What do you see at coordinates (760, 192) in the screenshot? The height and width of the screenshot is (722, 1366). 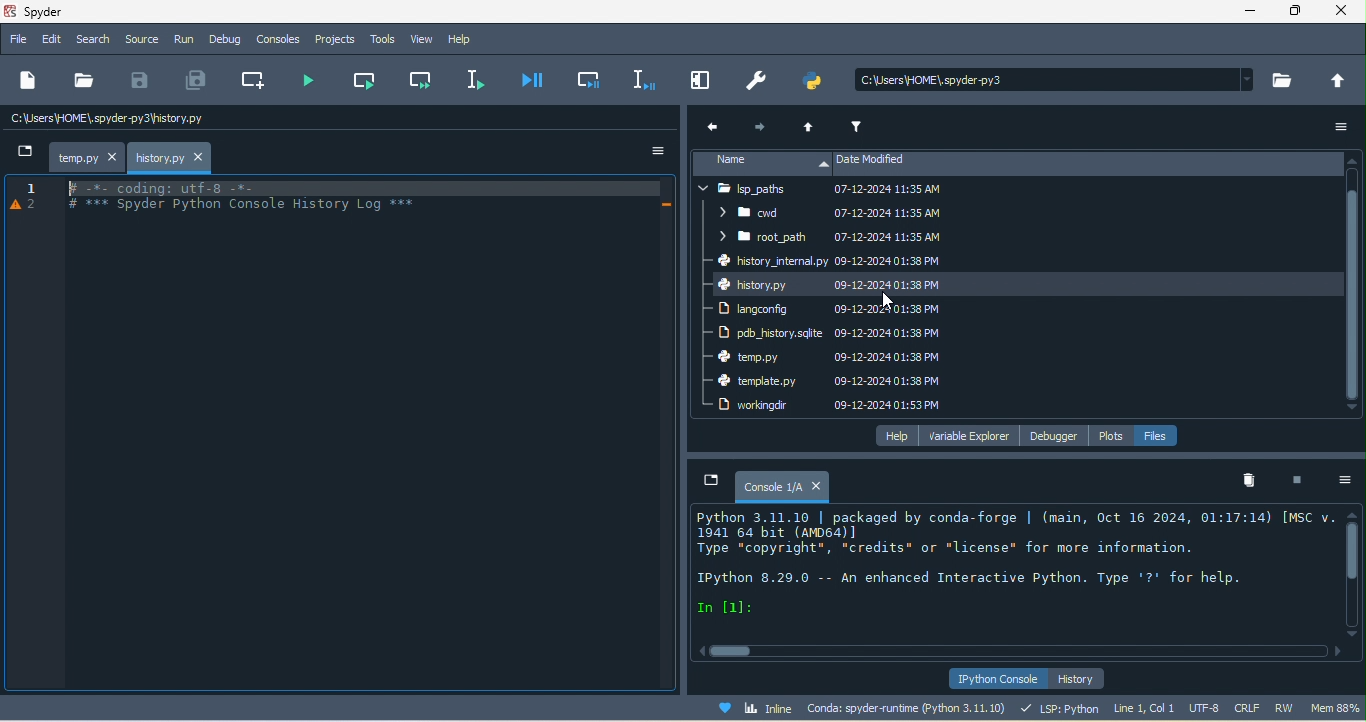 I see `lsp paths` at bounding box center [760, 192].